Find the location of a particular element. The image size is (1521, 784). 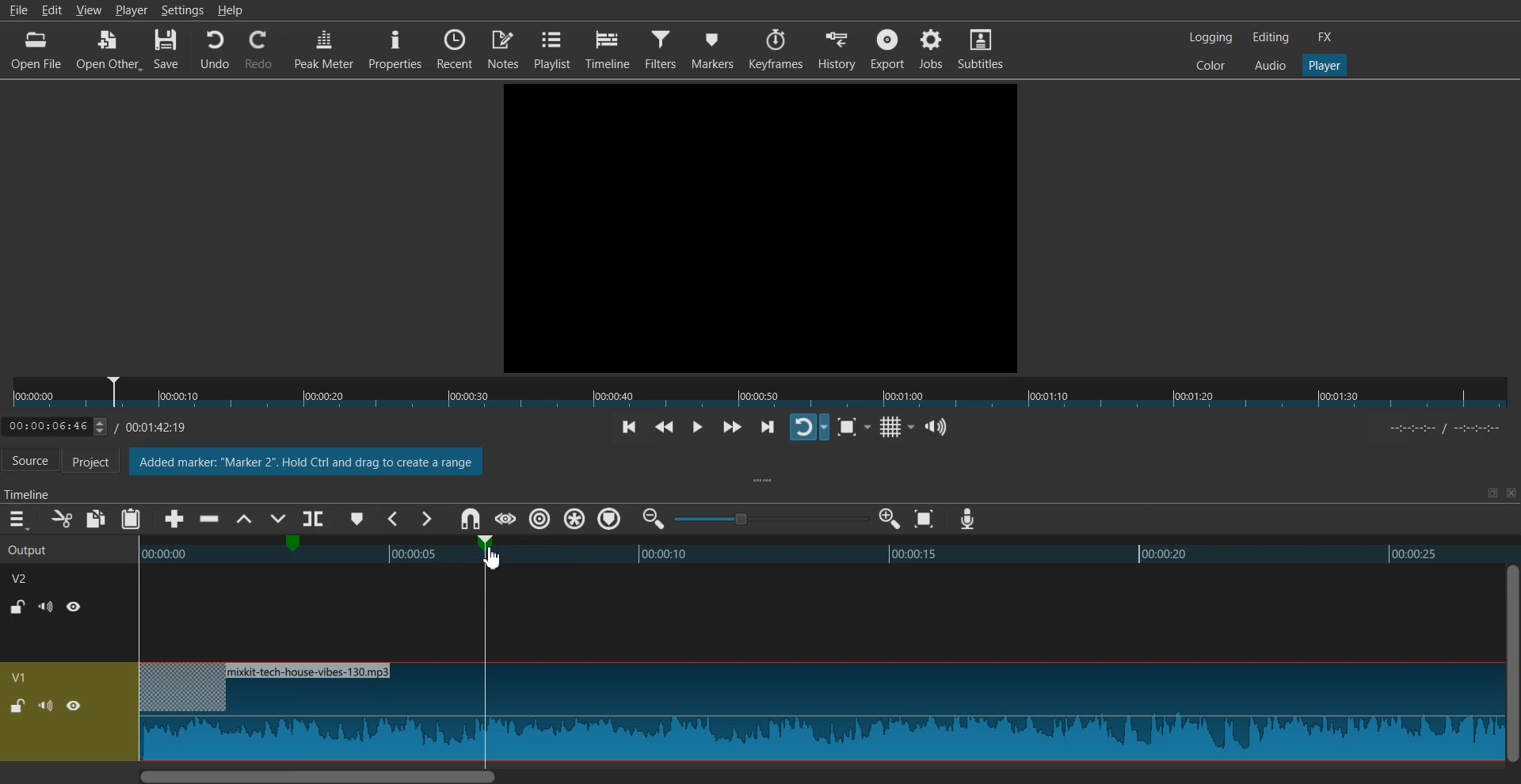

Logging is located at coordinates (1211, 37).